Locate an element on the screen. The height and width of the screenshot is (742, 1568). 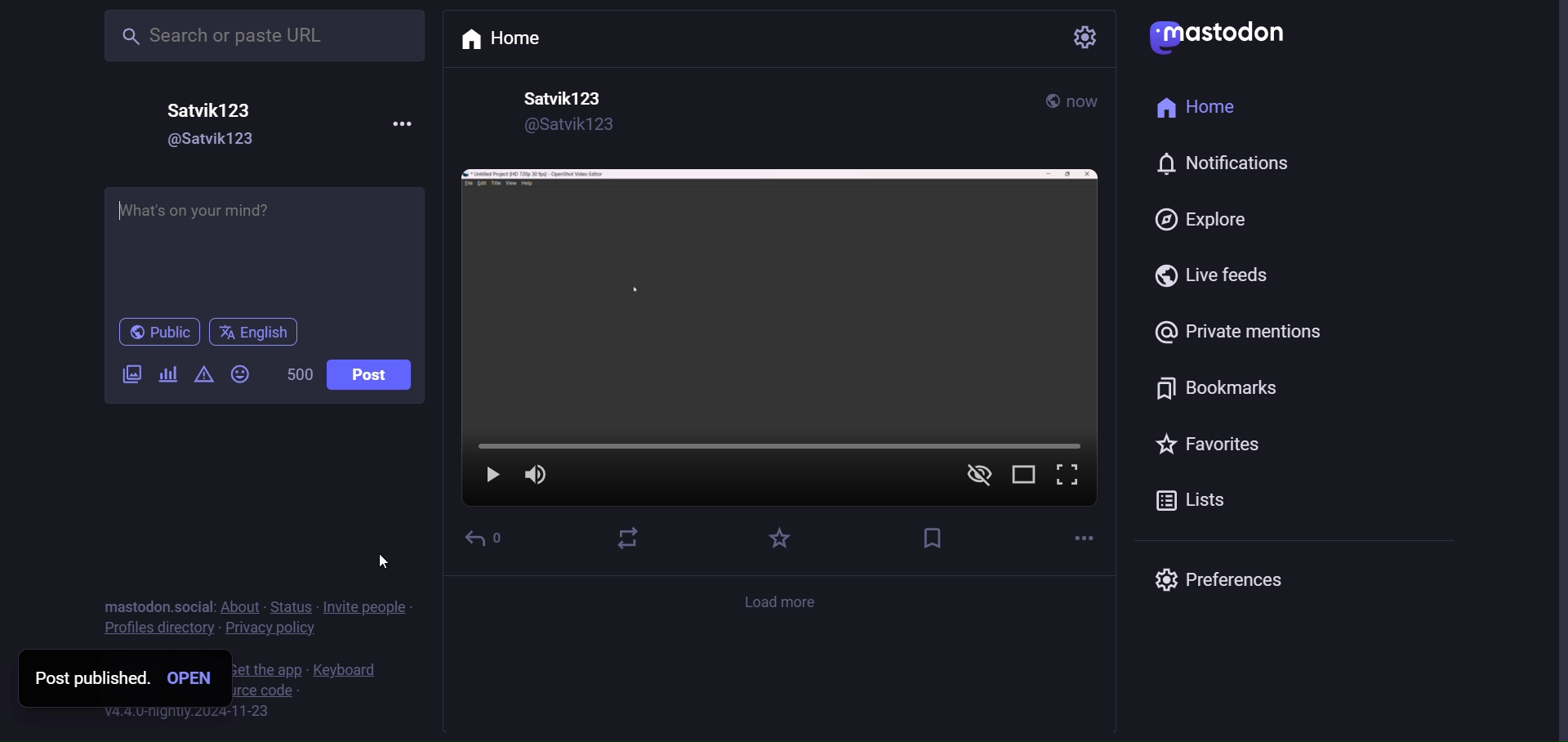
notification is located at coordinates (1220, 161).